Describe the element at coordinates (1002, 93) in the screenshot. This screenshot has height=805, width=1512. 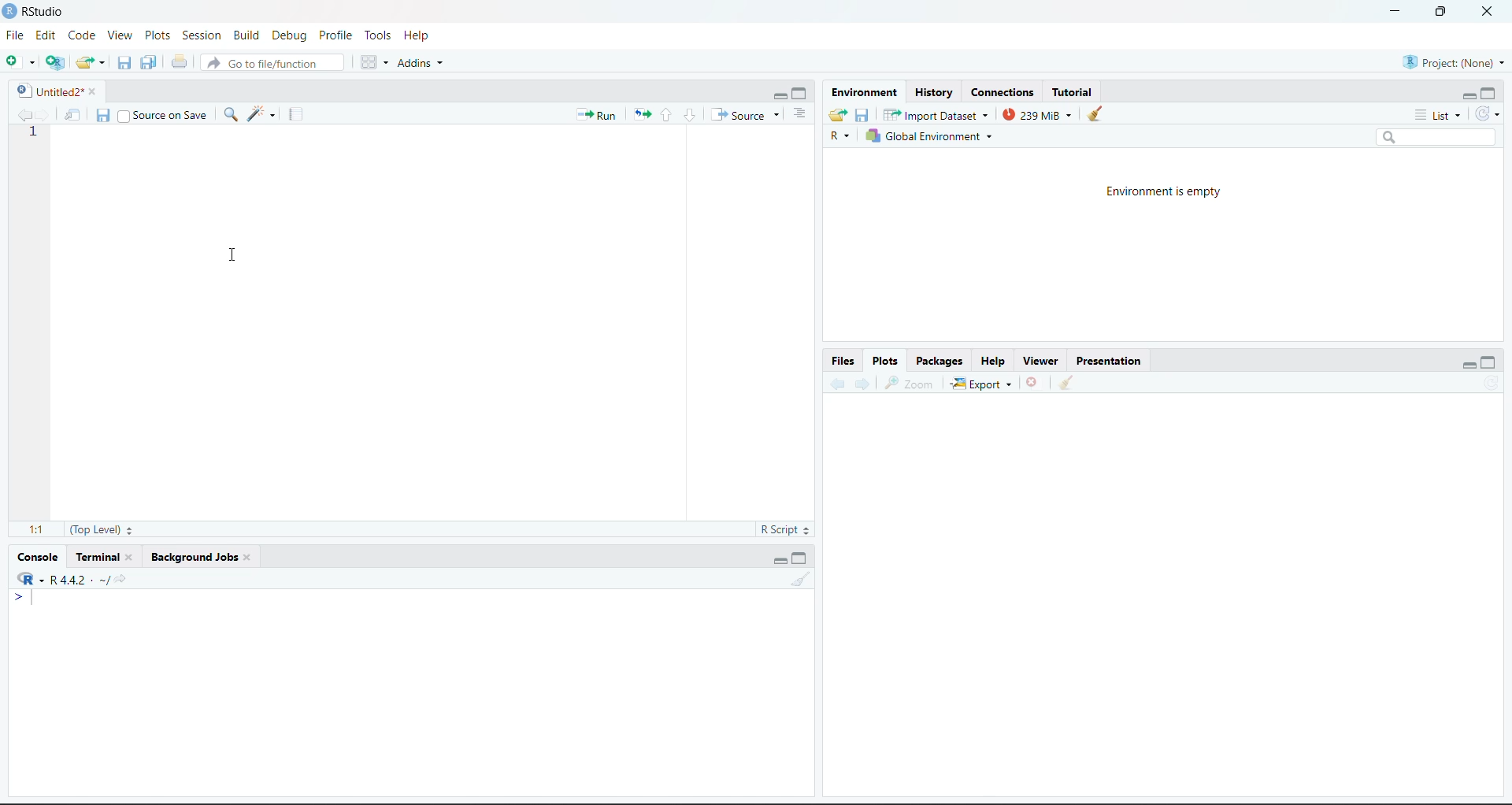
I see `Connections` at that location.